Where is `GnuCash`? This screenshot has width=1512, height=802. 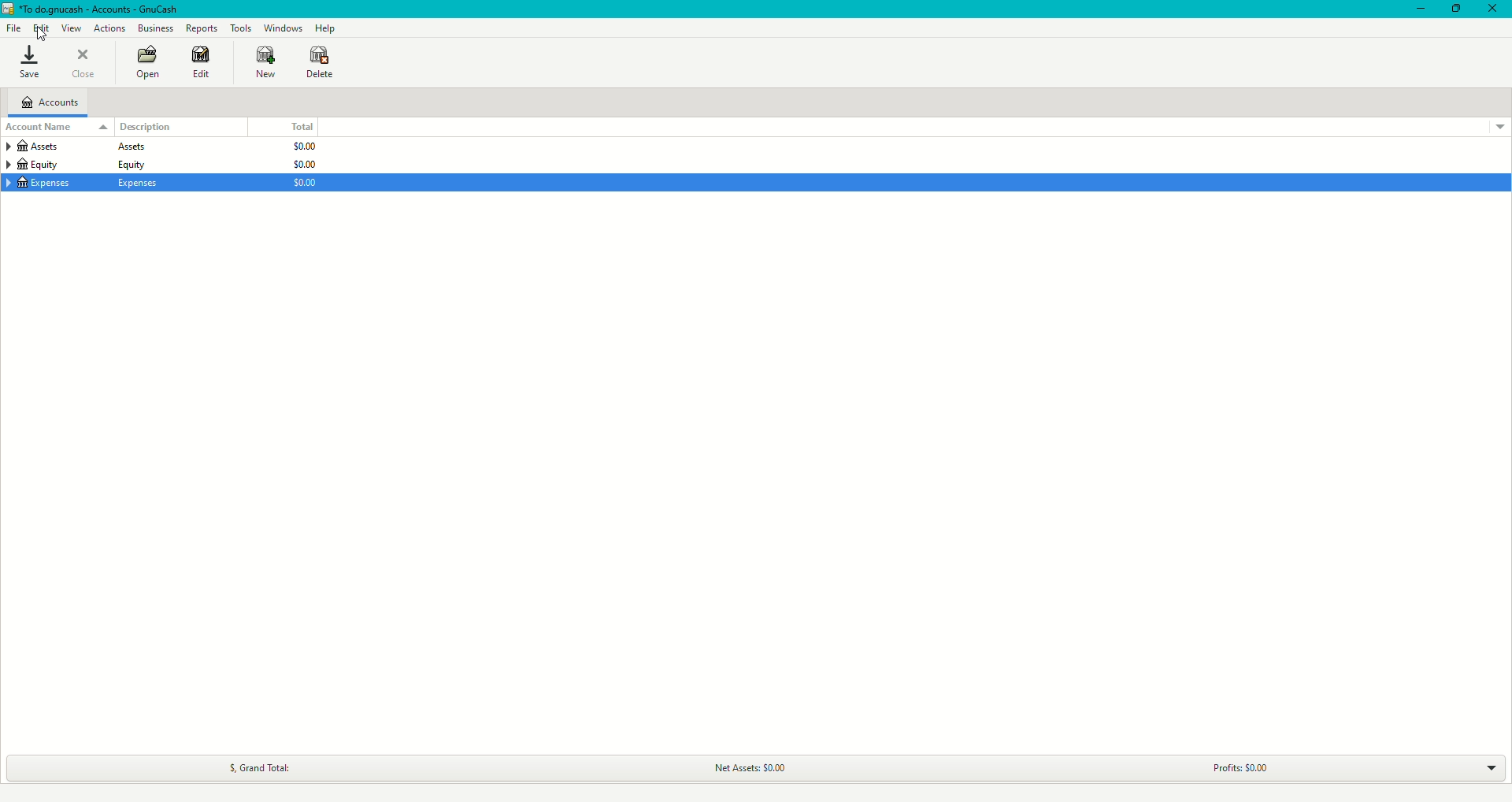 GnuCash is located at coordinates (94, 9).